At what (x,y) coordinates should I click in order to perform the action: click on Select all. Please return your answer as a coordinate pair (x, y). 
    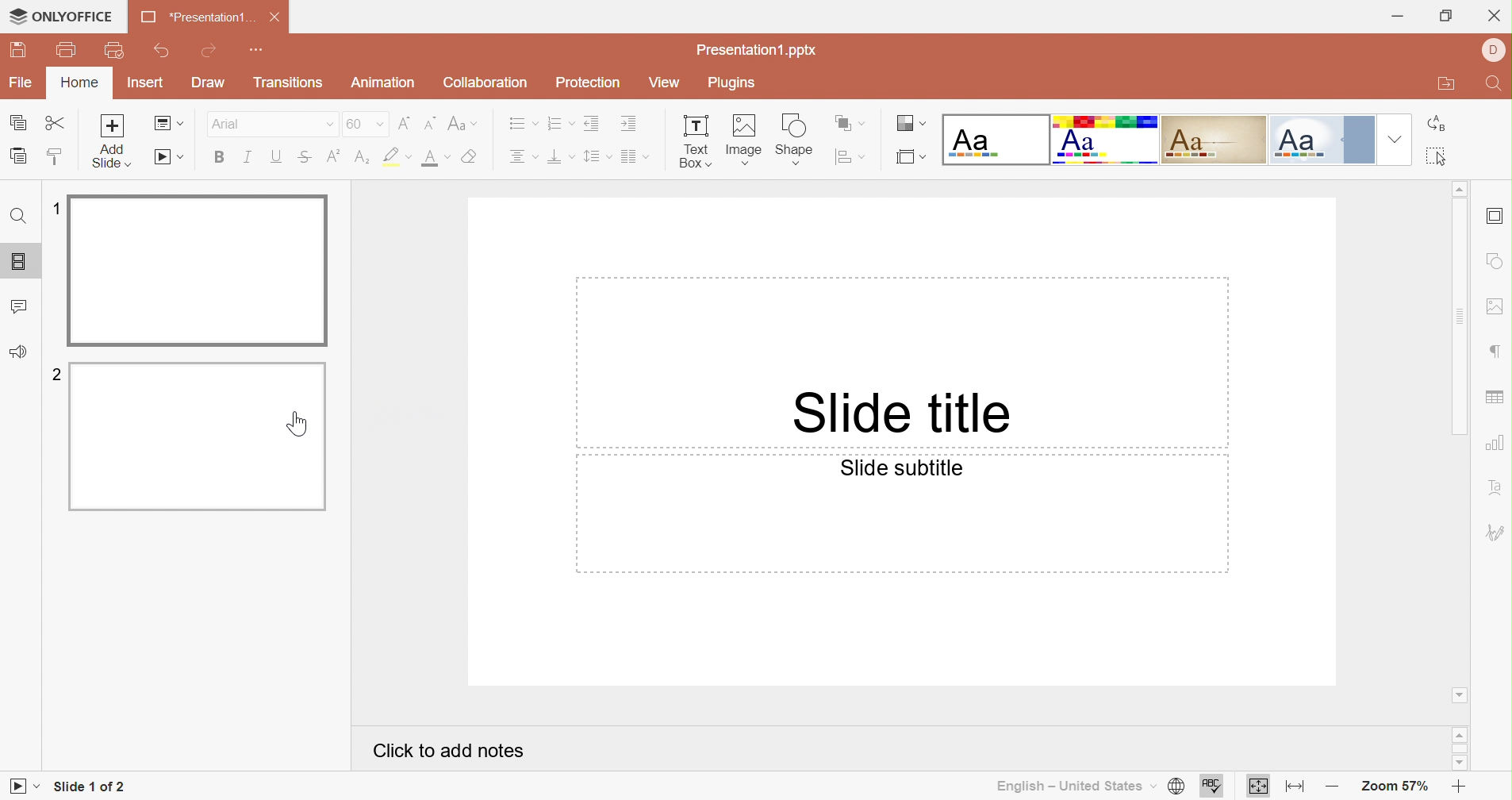
    Looking at the image, I should click on (1438, 160).